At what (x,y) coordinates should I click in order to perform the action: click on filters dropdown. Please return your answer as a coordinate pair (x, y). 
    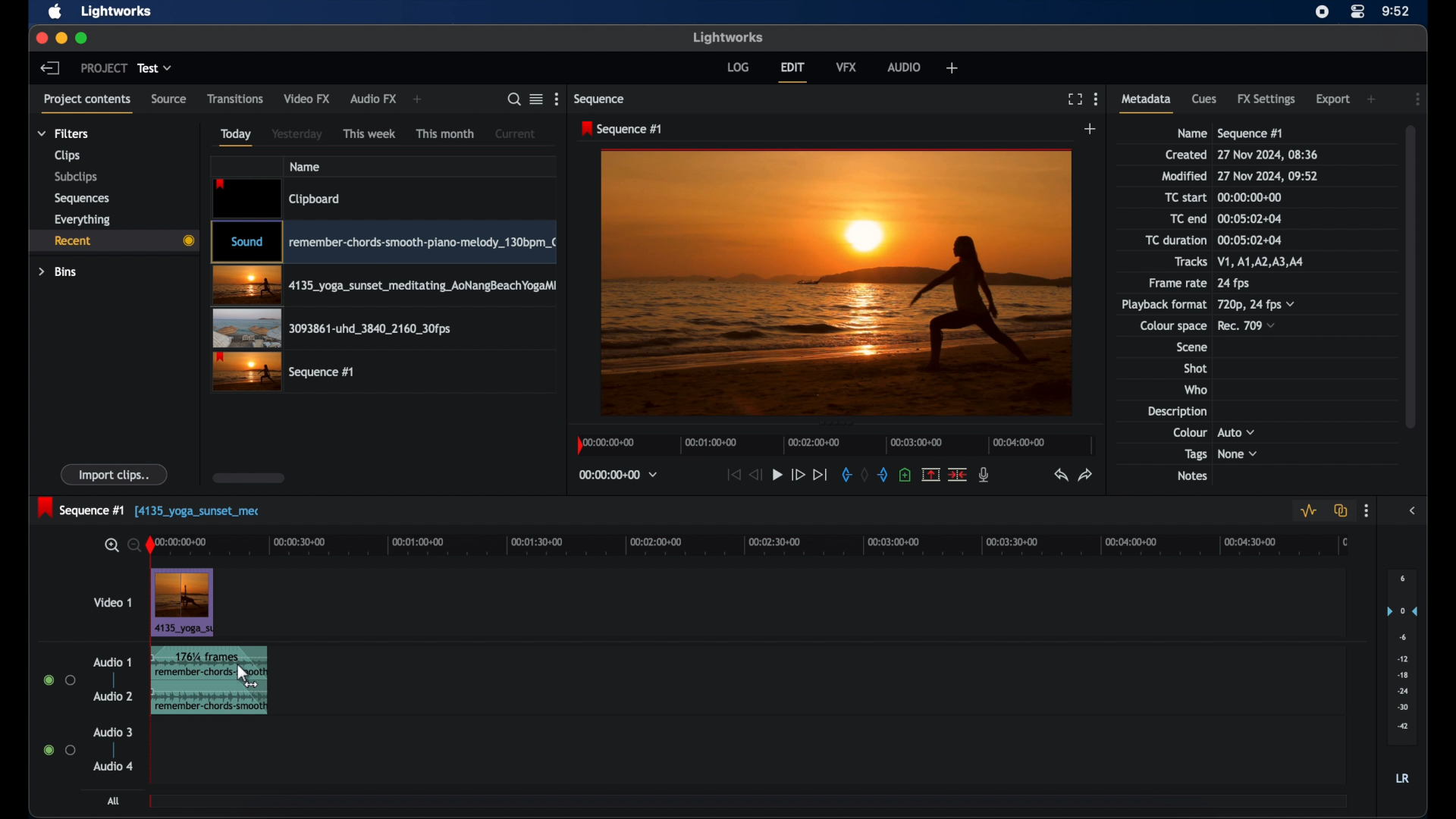
    Looking at the image, I should click on (63, 133).